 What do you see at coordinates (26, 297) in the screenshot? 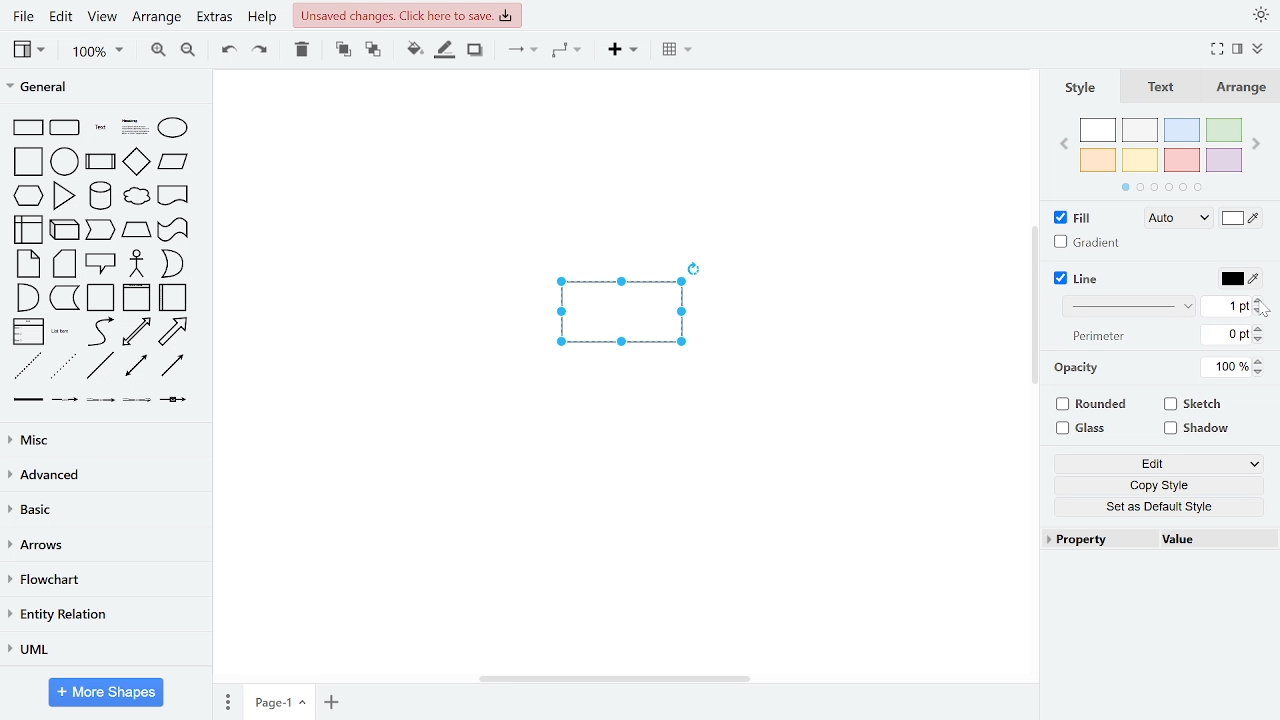
I see `general shapes` at bounding box center [26, 297].